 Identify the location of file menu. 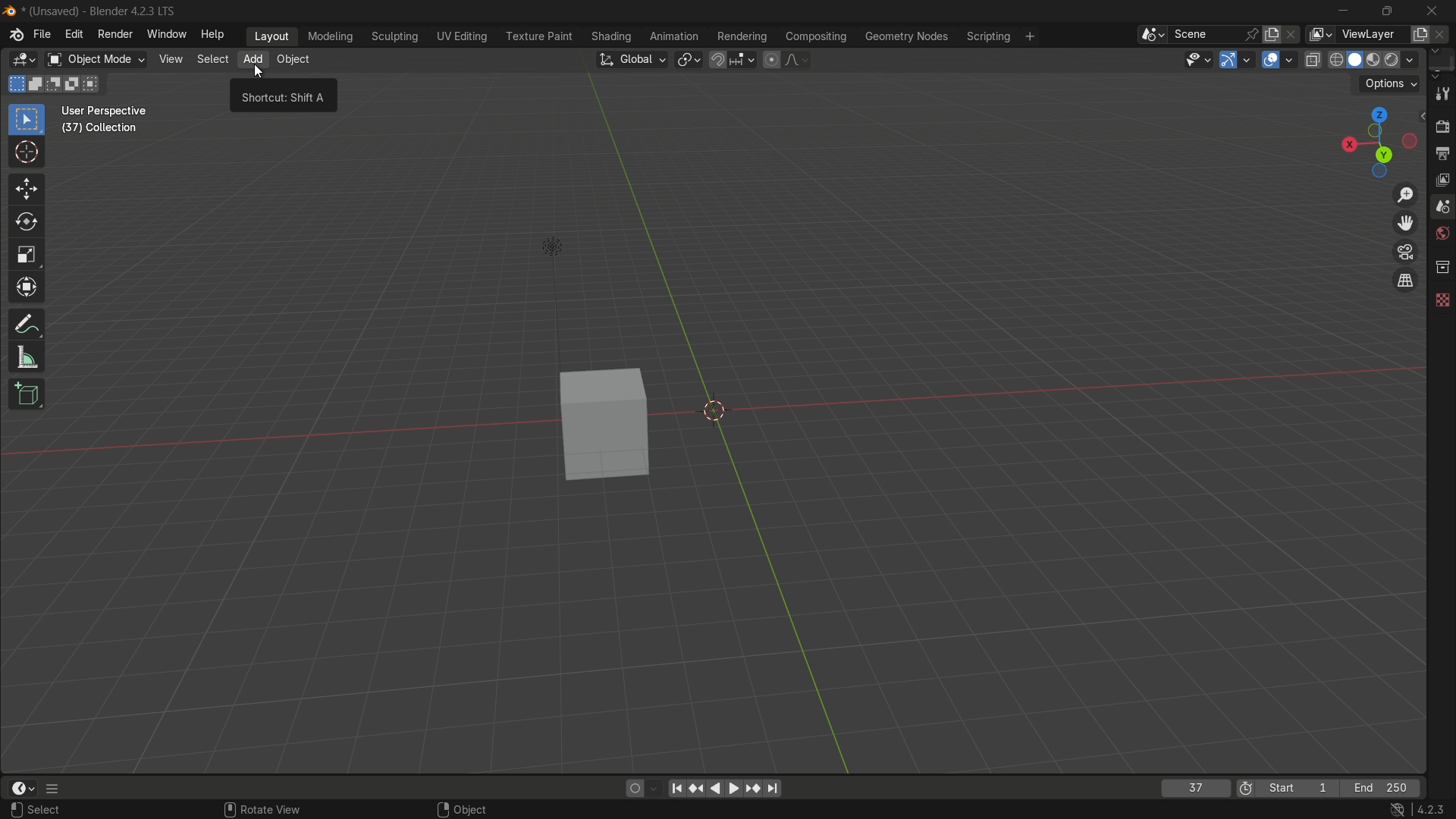
(40, 33).